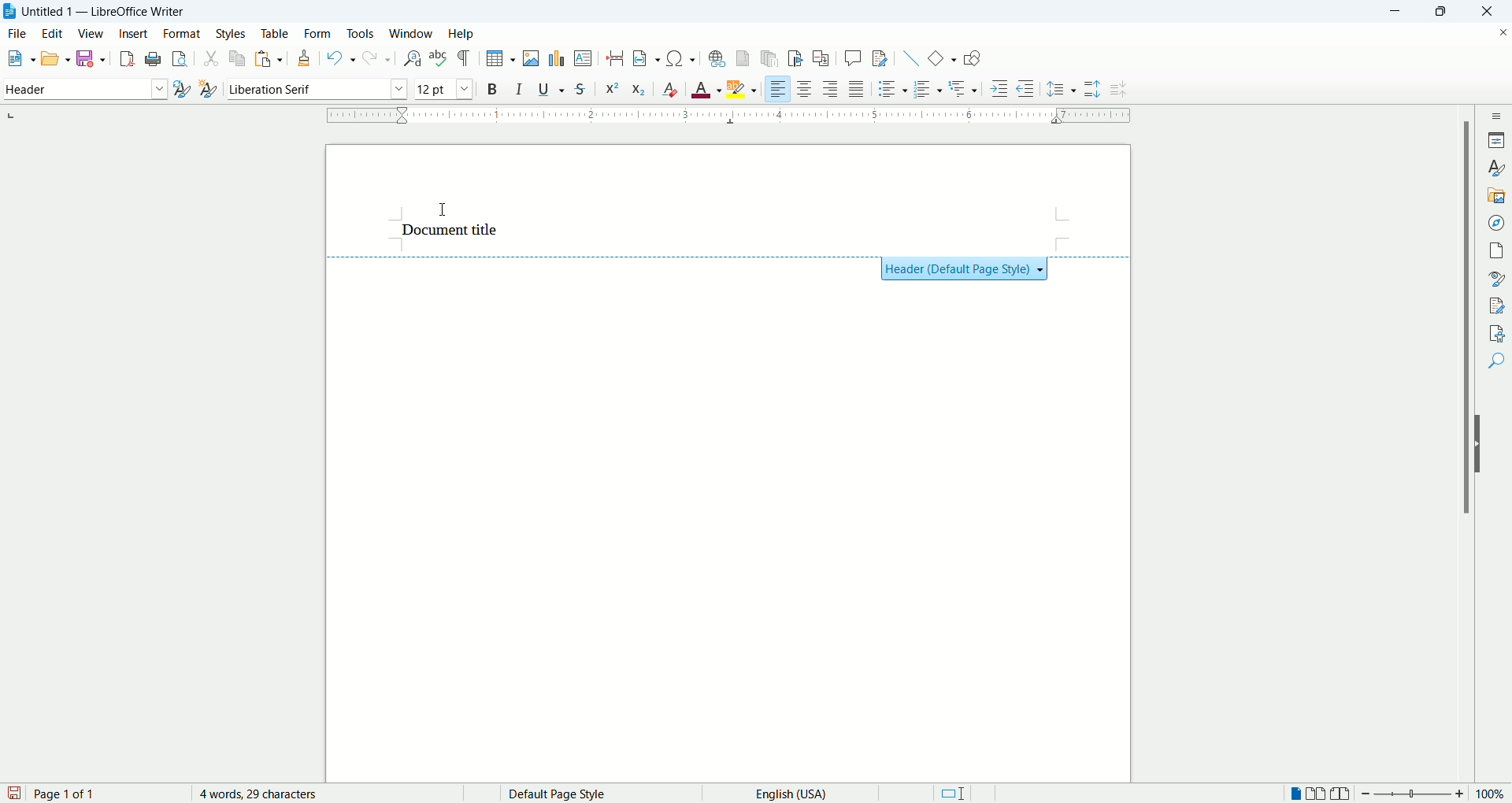 The width and height of the screenshot is (1512, 803). I want to click on superscript, so click(613, 90).